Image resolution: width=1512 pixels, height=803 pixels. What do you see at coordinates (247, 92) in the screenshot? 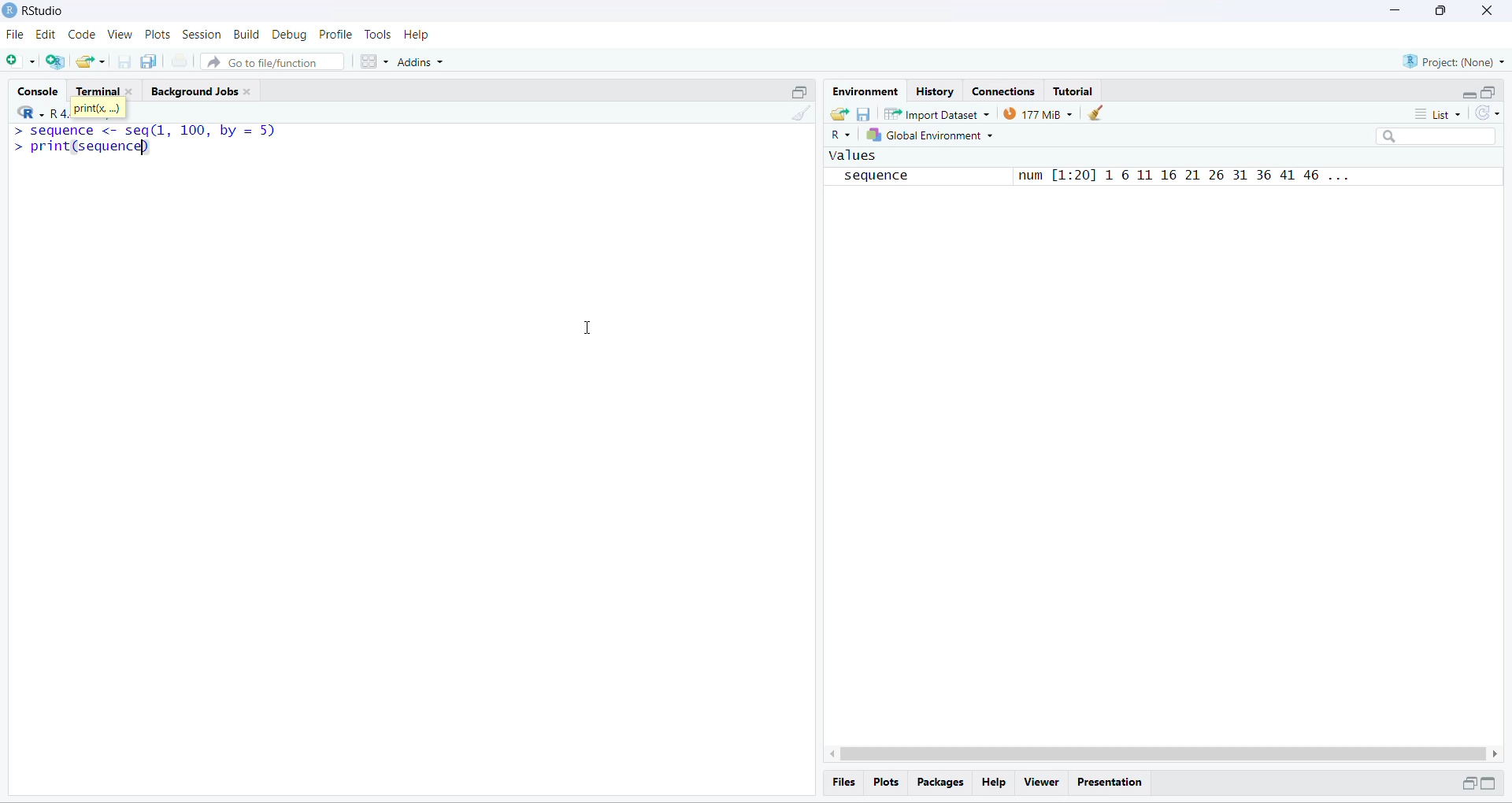
I see `close` at bounding box center [247, 92].